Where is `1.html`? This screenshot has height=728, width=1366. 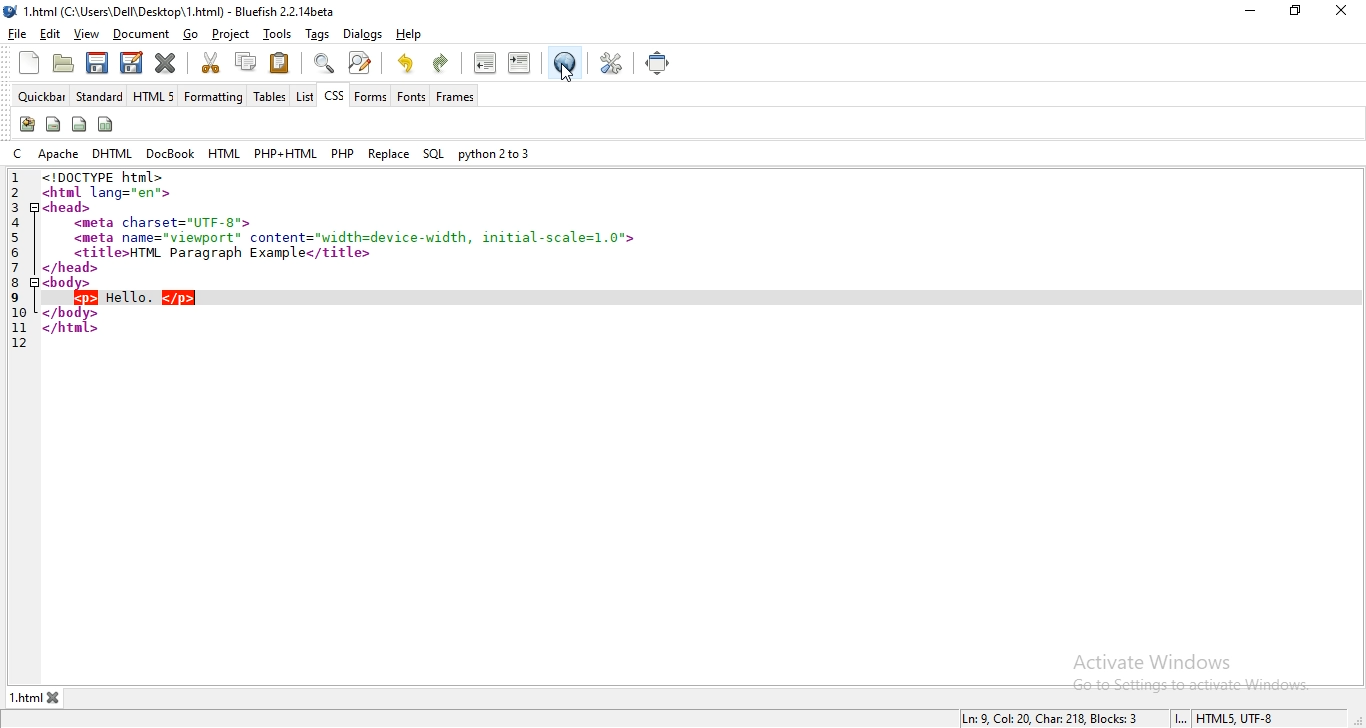
1.html is located at coordinates (26, 696).